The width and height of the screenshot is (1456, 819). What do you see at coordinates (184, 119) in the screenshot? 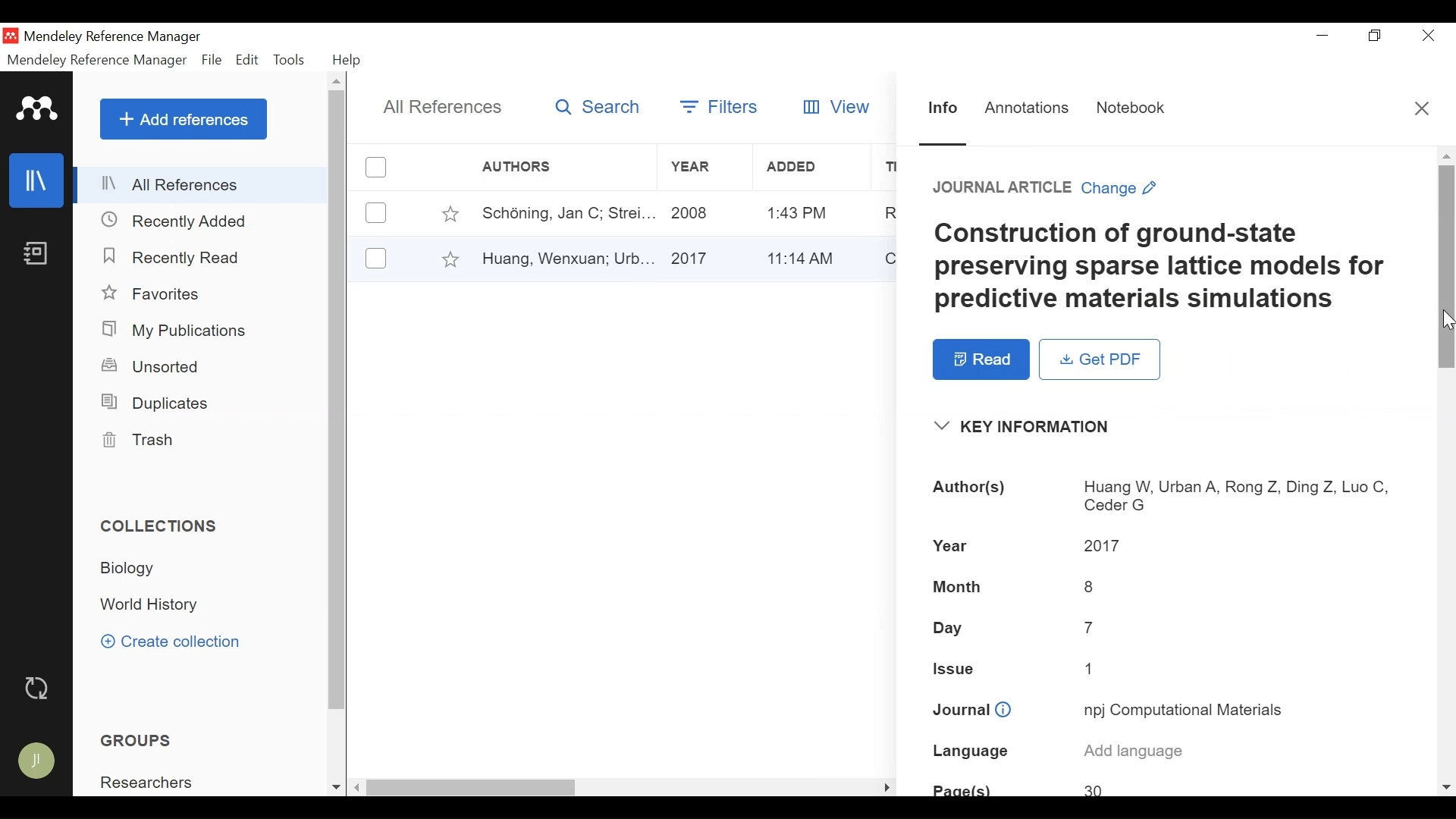
I see `Add References` at bounding box center [184, 119].